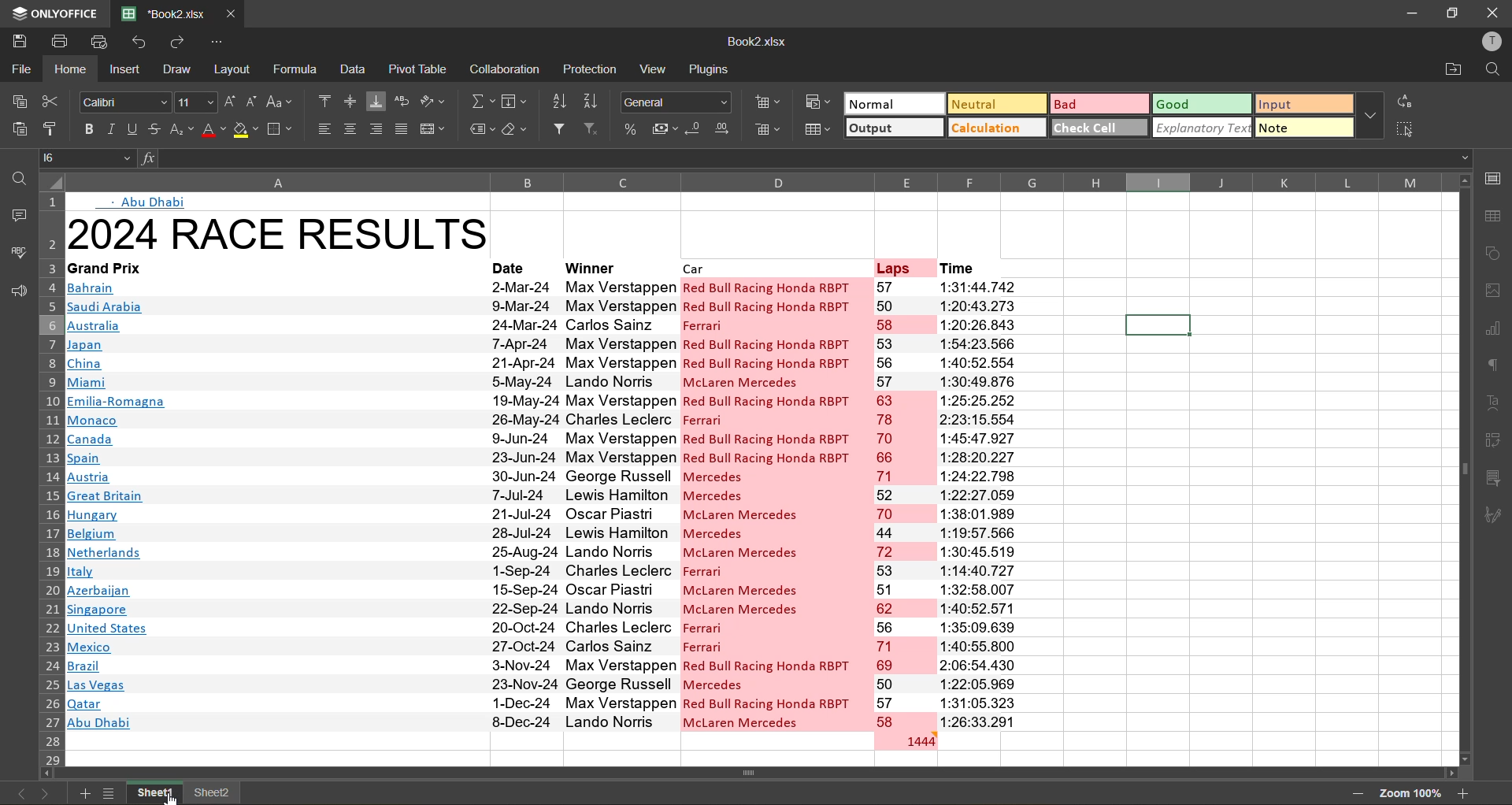 The width and height of the screenshot is (1512, 805). What do you see at coordinates (564, 103) in the screenshot?
I see `sort ascending ` at bounding box center [564, 103].